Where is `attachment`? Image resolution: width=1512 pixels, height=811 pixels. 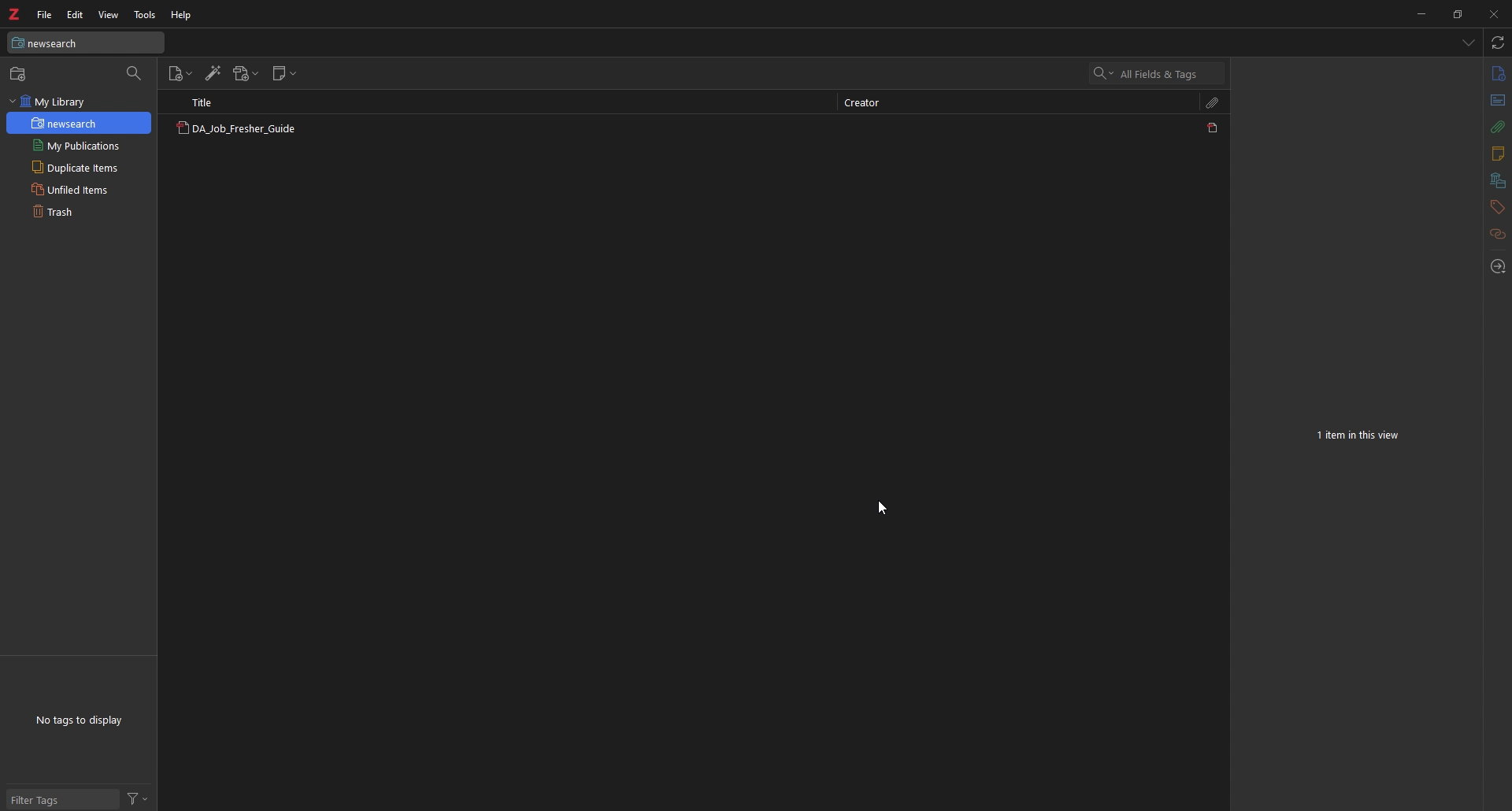
attachment is located at coordinates (1214, 102).